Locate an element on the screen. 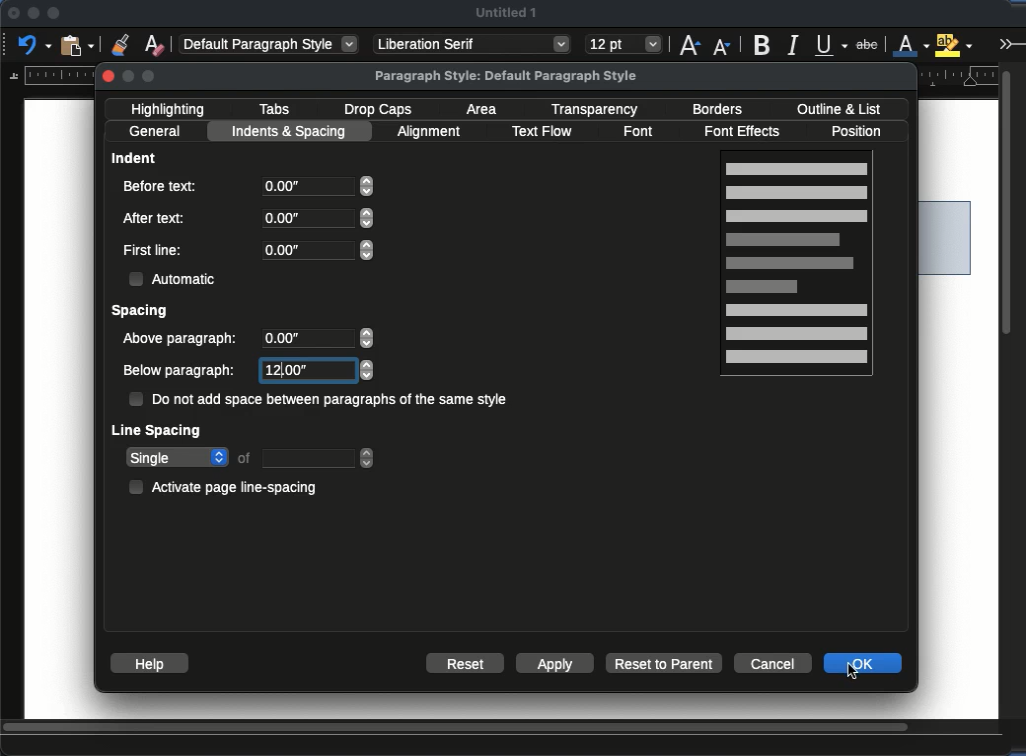  font is located at coordinates (642, 132).